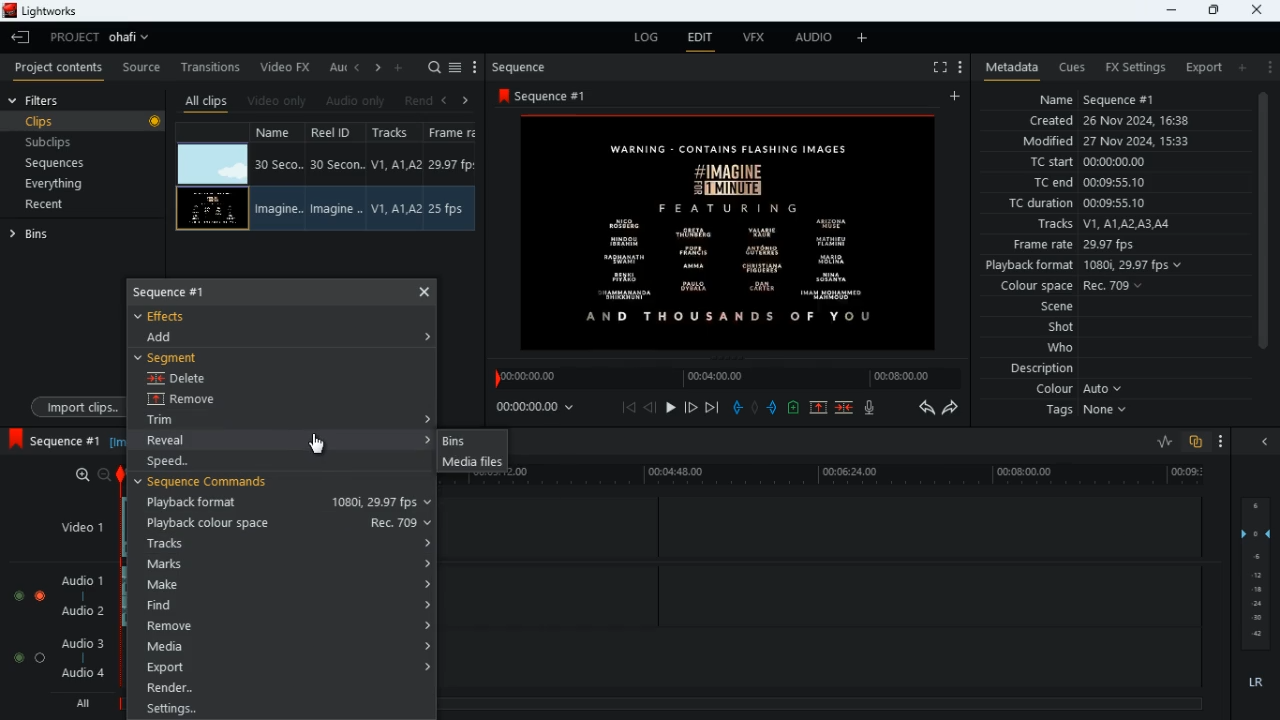  Describe the element at coordinates (85, 123) in the screenshot. I see `clips` at that location.